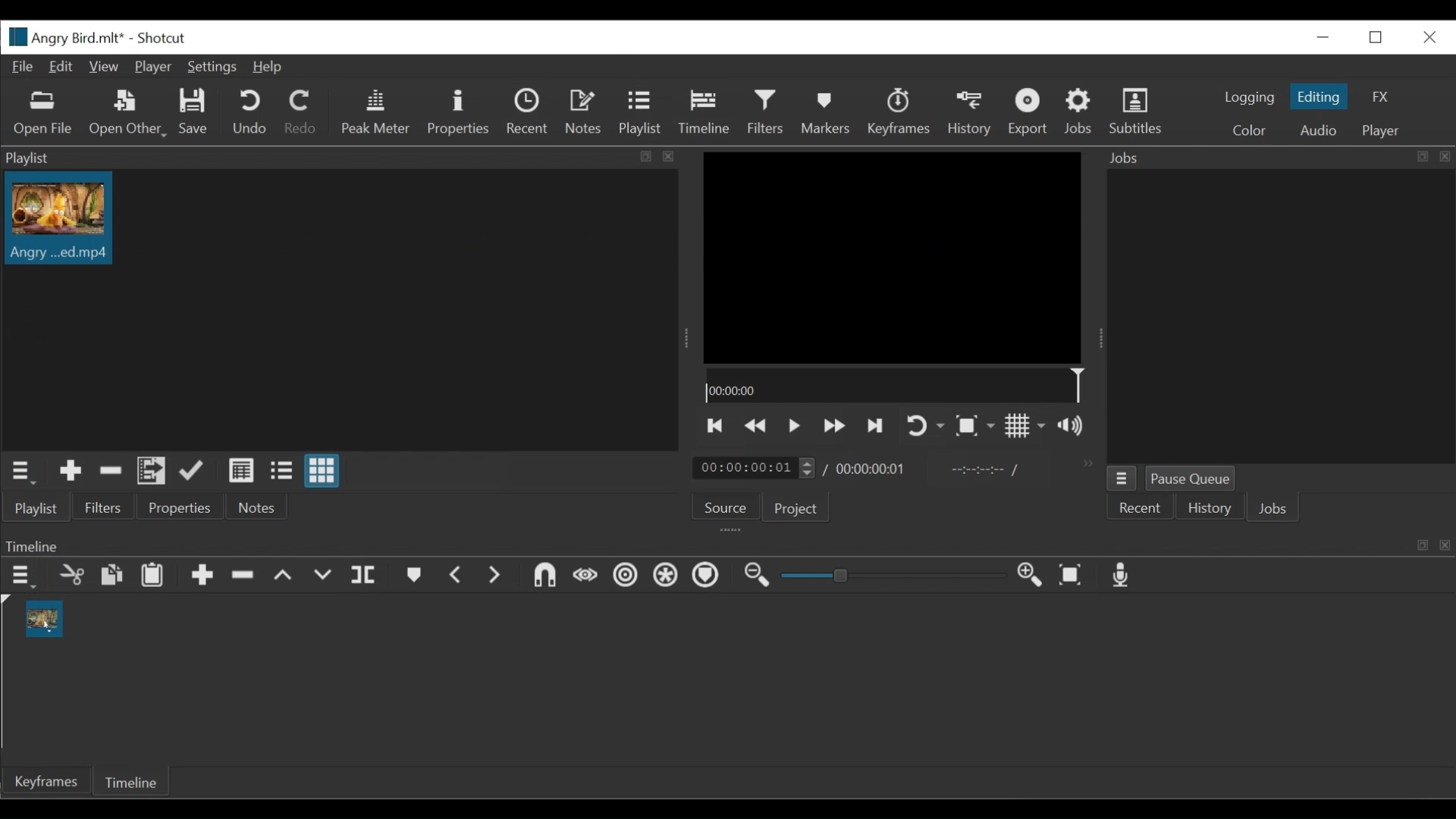  I want to click on Markers, so click(413, 576).